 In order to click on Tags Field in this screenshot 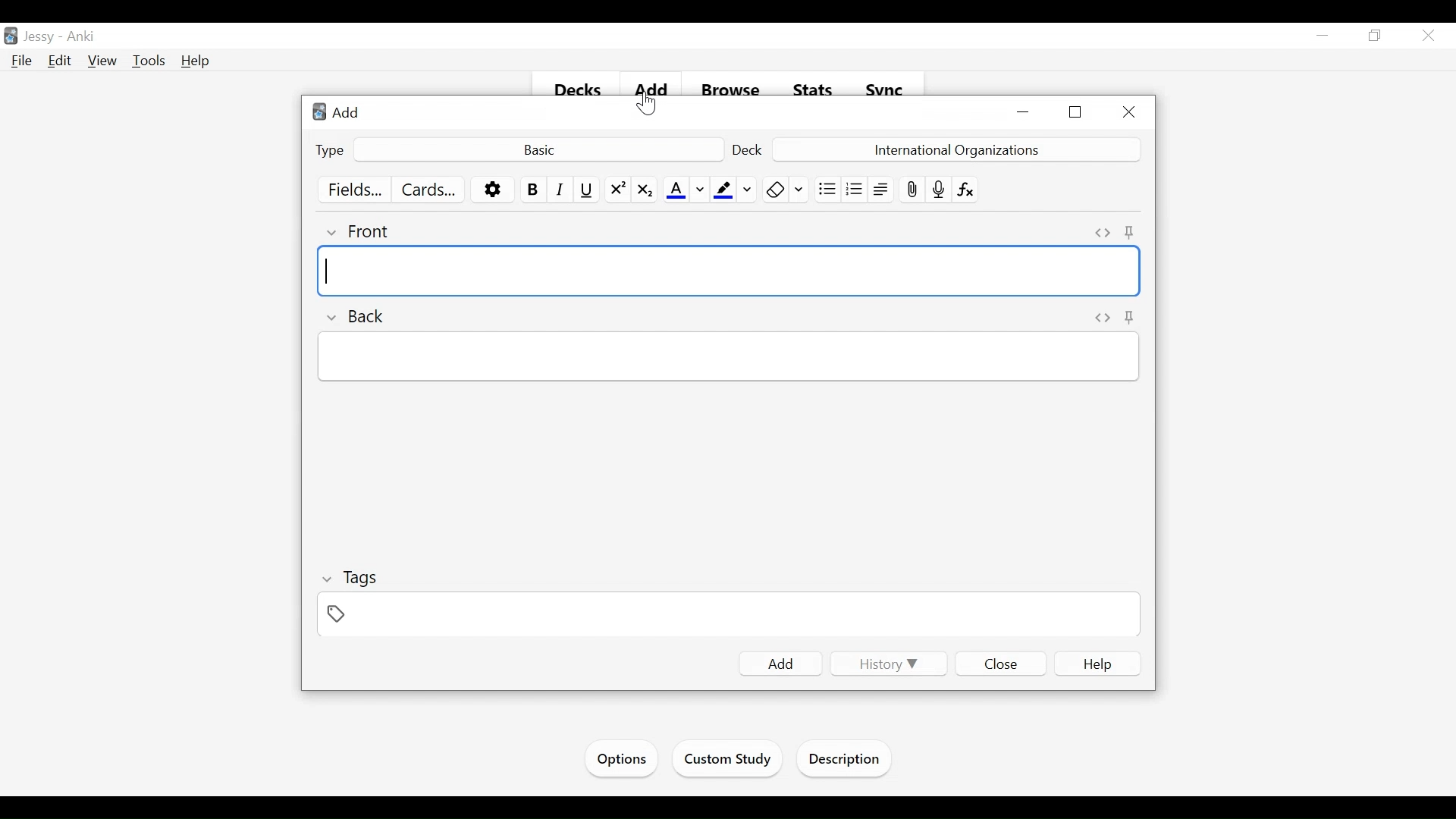, I will do `click(730, 617)`.